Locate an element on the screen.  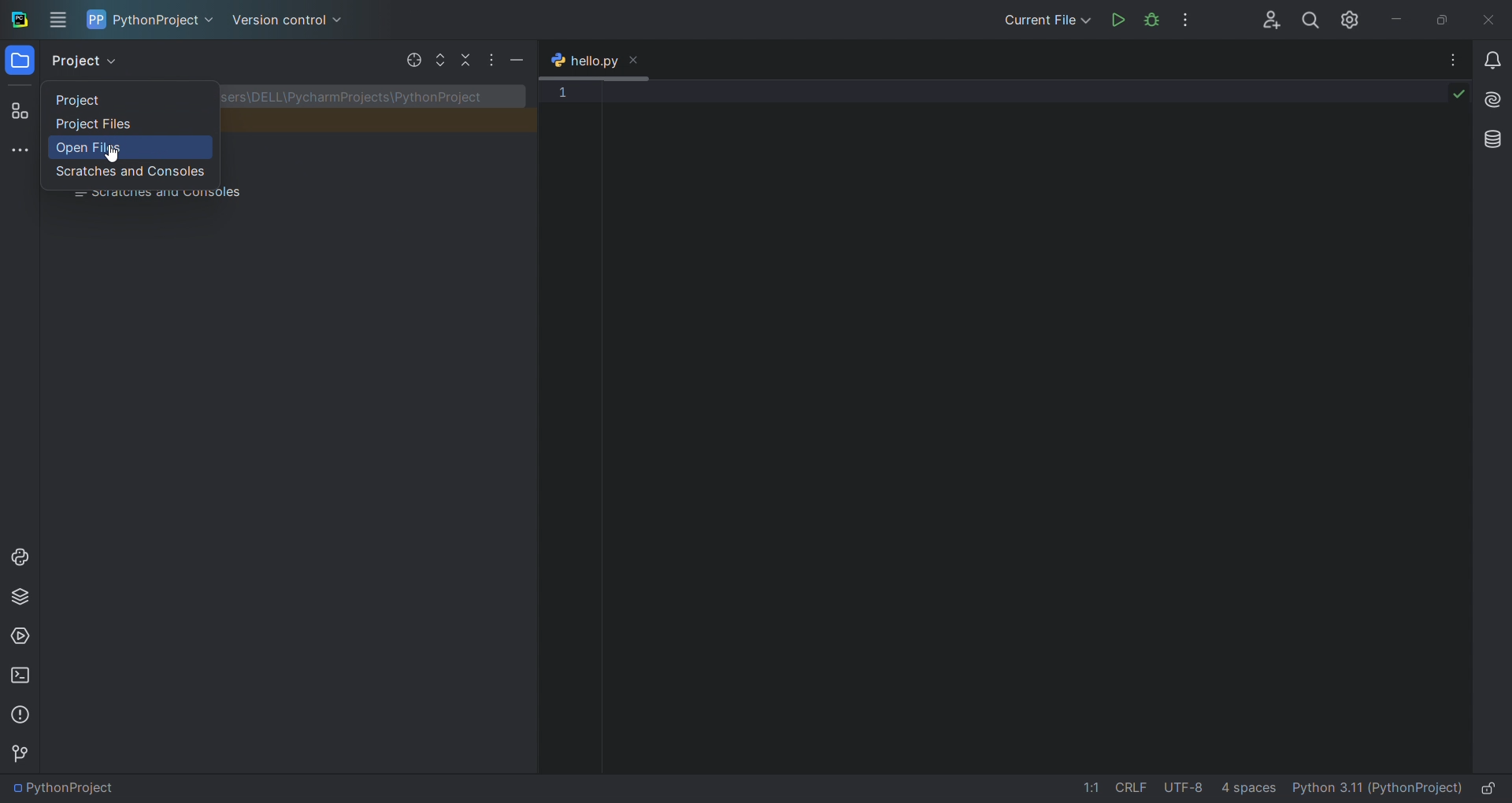
python console is located at coordinates (20, 558).